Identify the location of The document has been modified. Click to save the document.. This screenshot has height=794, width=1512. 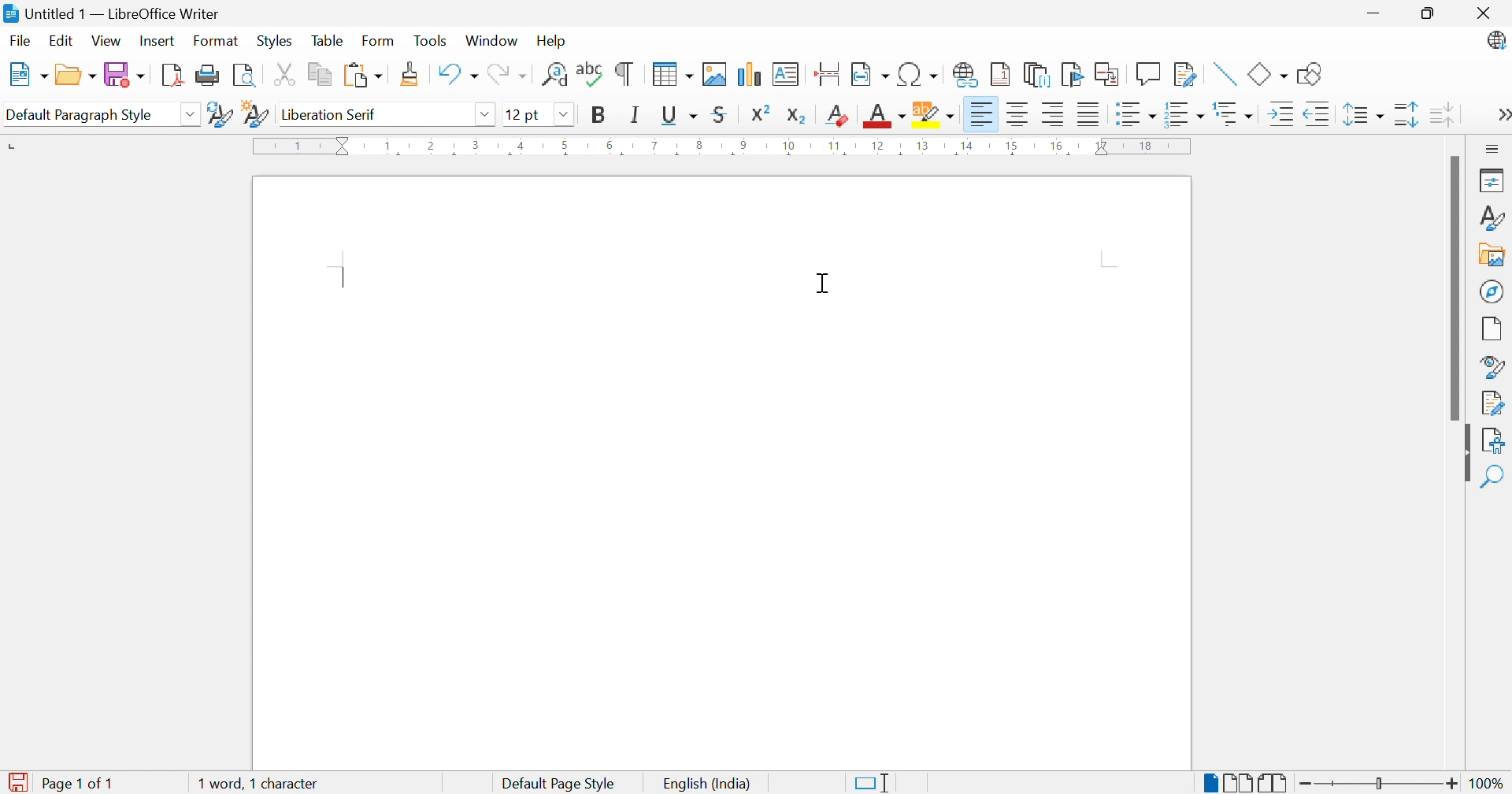
(20, 781).